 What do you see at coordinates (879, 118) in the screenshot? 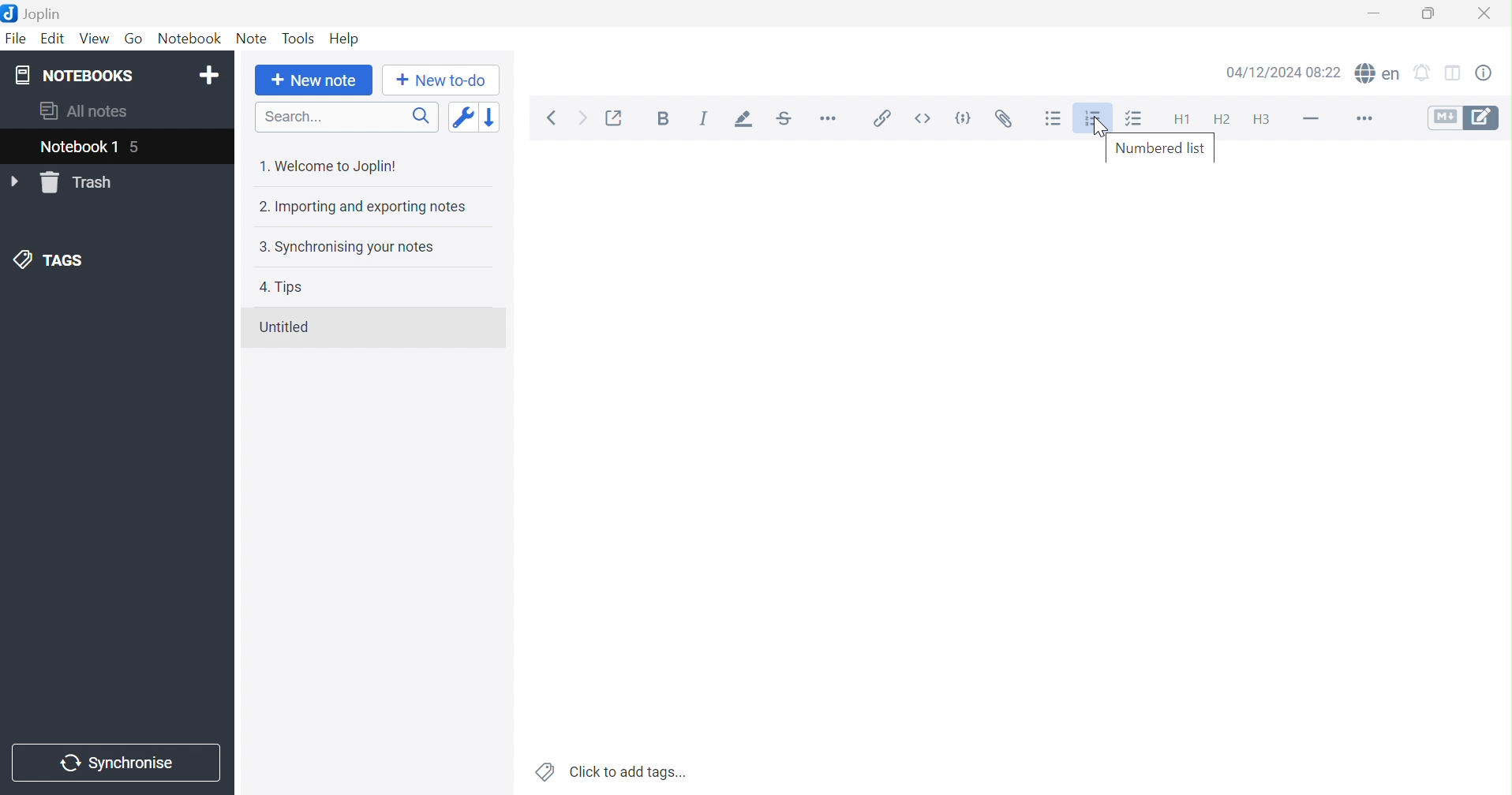
I see `Insert / edit link` at bounding box center [879, 118].